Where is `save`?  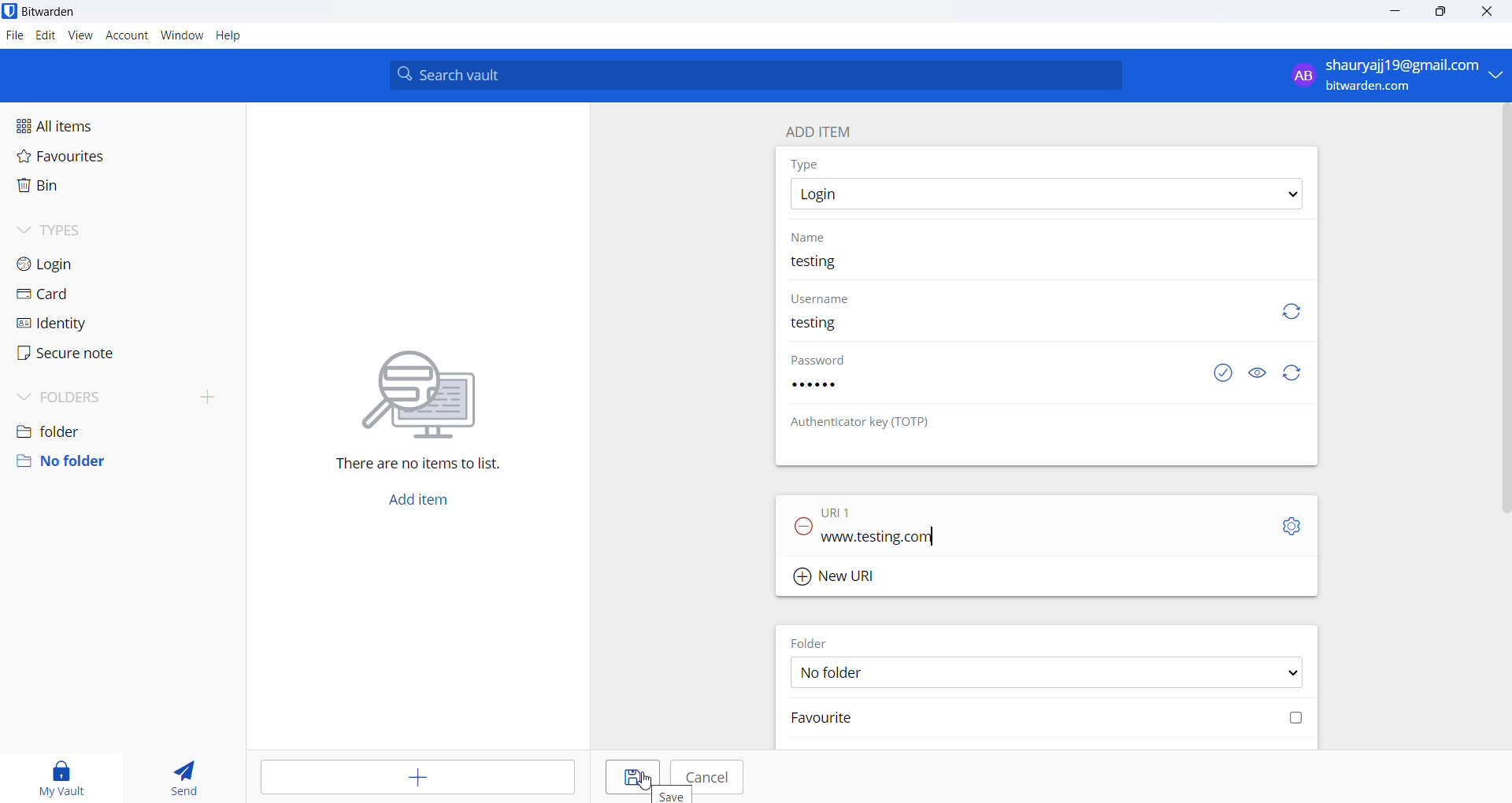
save is located at coordinates (626, 776).